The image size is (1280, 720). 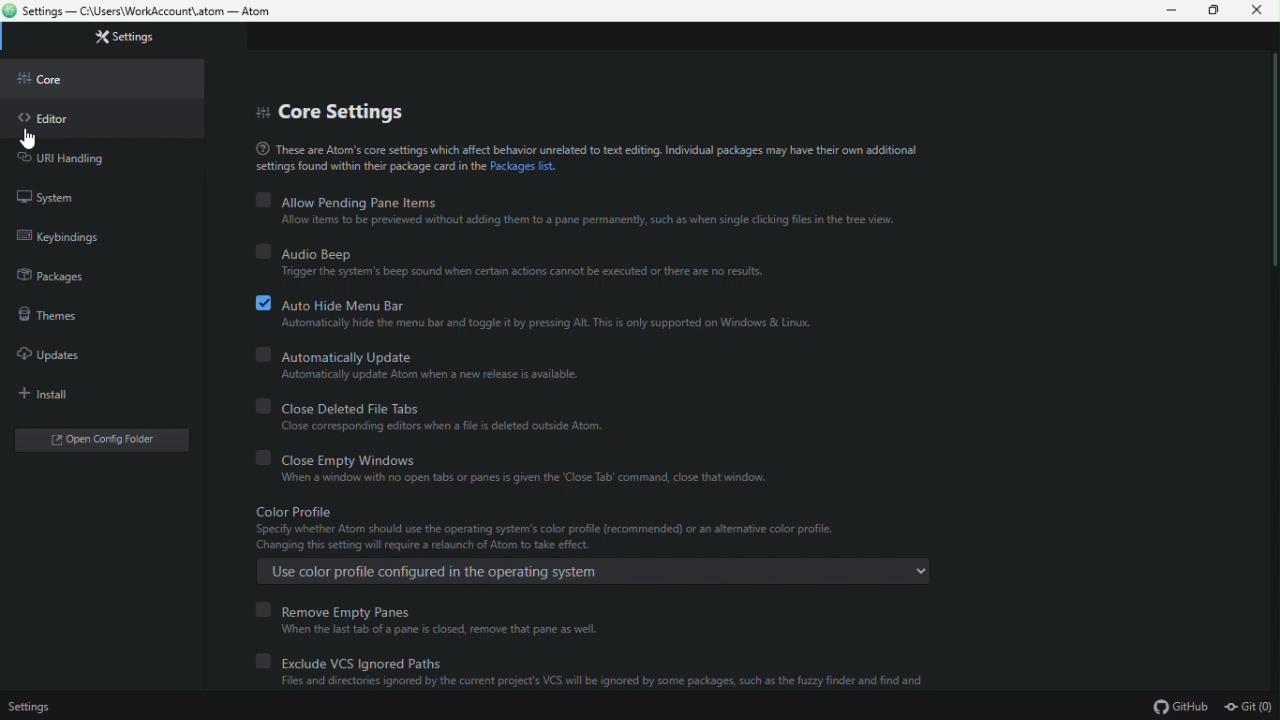 I want to click on scrollbar, so click(x=1268, y=170).